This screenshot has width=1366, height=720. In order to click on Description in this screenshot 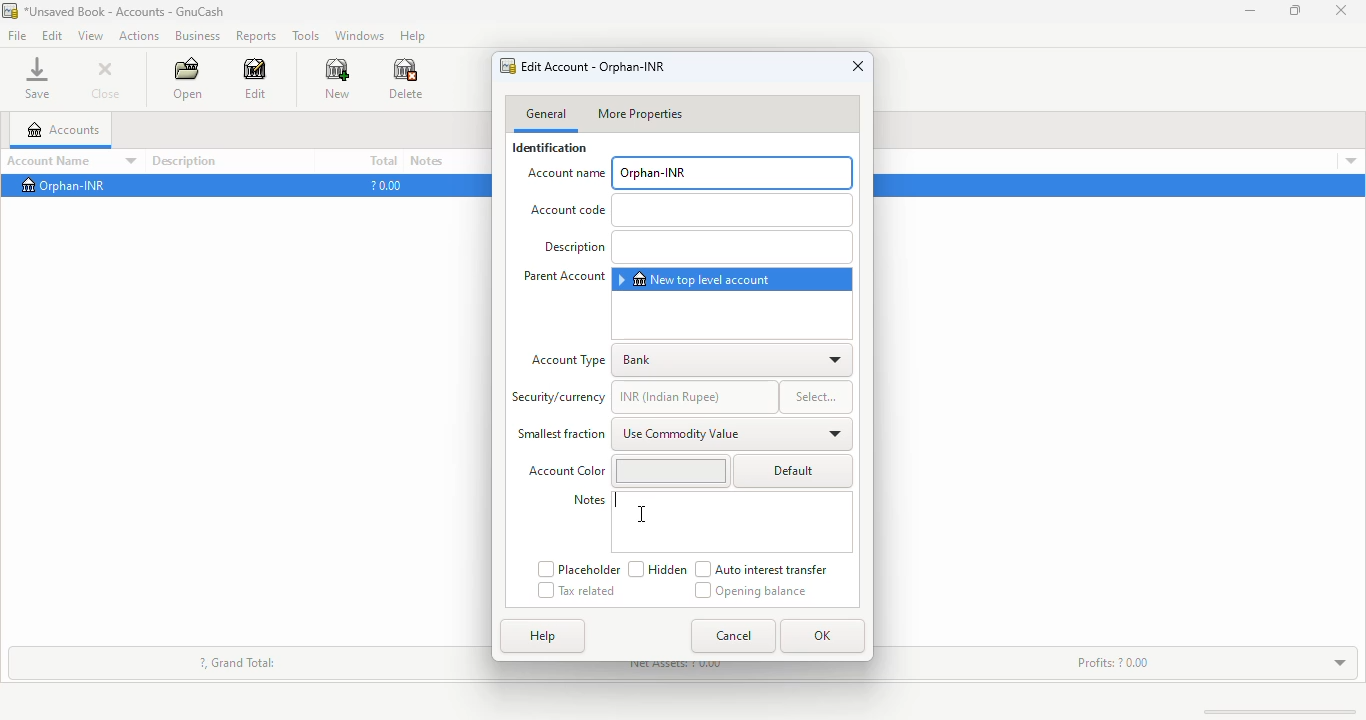, I will do `click(573, 247)`.